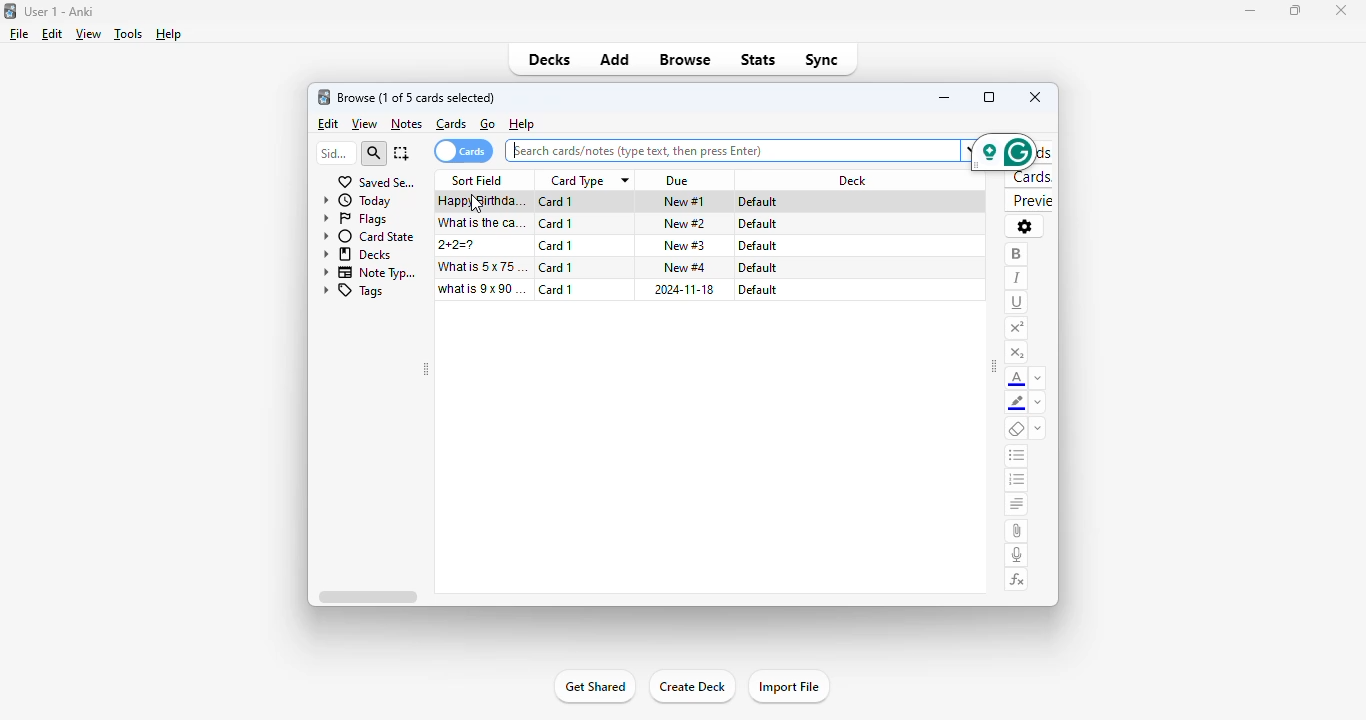  What do you see at coordinates (853, 180) in the screenshot?
I see `deck` at bounding box center [853, 180].